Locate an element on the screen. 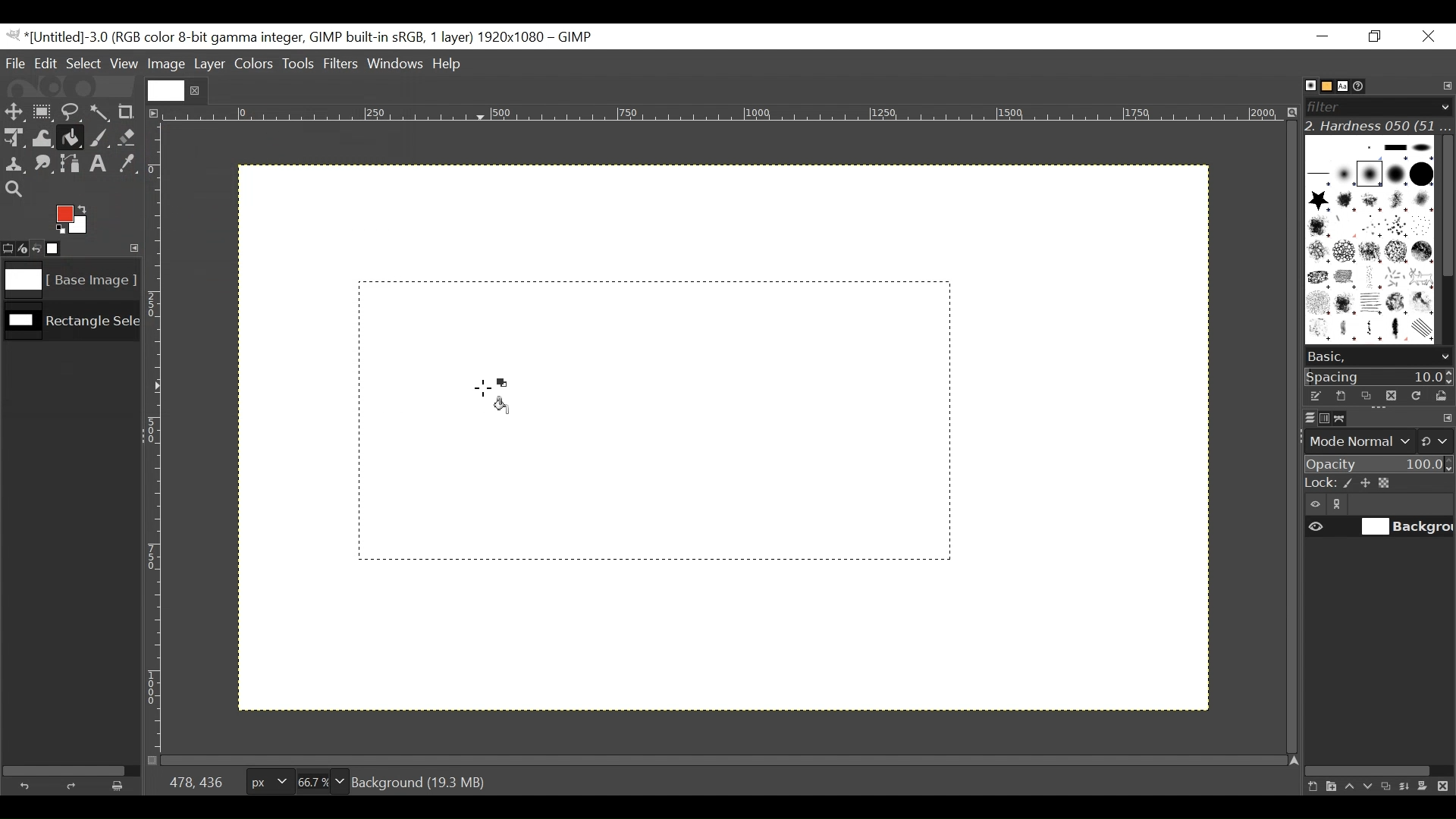  Edit is located at coordinates (47, 63).